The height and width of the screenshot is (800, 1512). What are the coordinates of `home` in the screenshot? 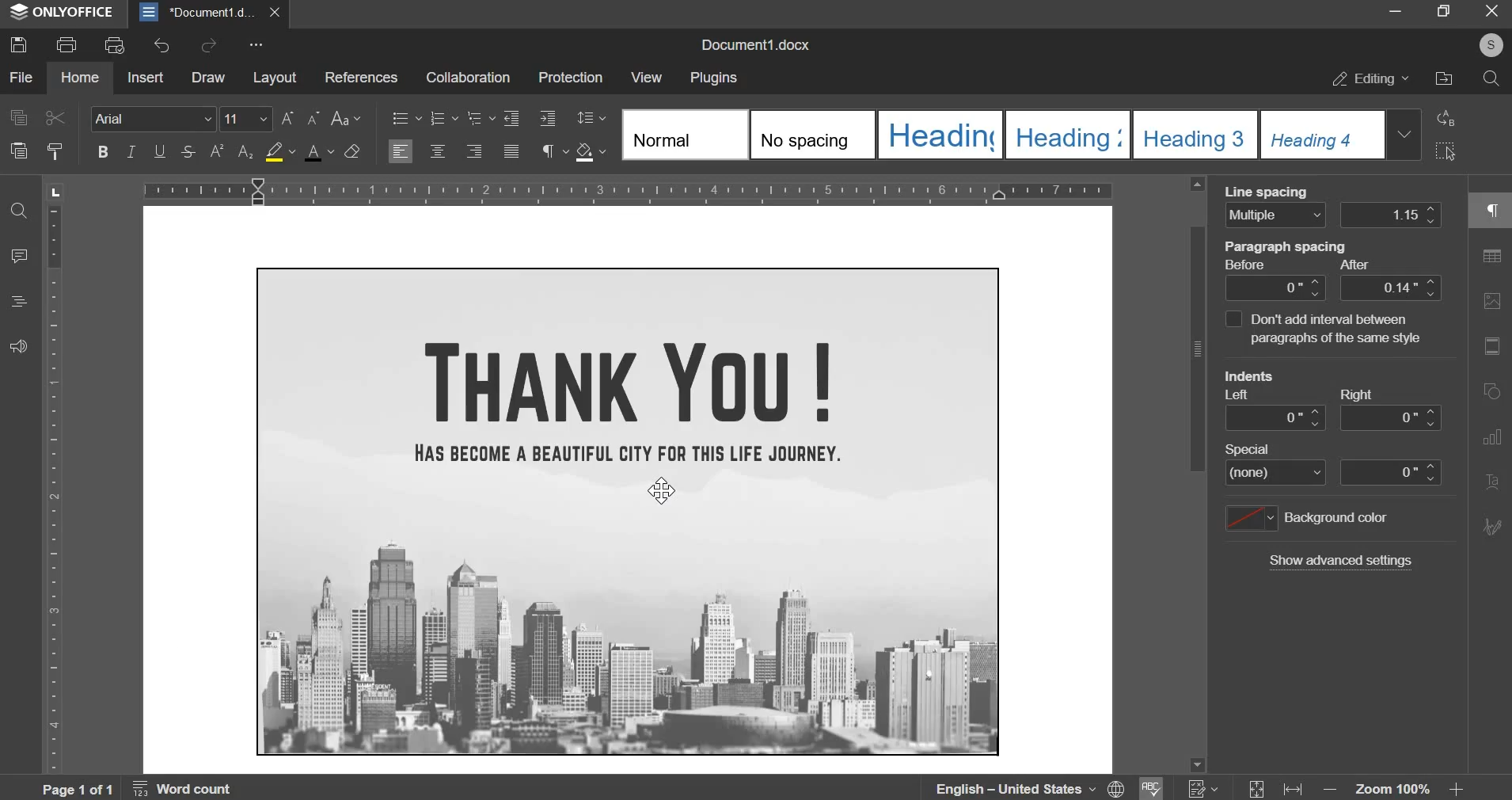 It's located at (79, 76).